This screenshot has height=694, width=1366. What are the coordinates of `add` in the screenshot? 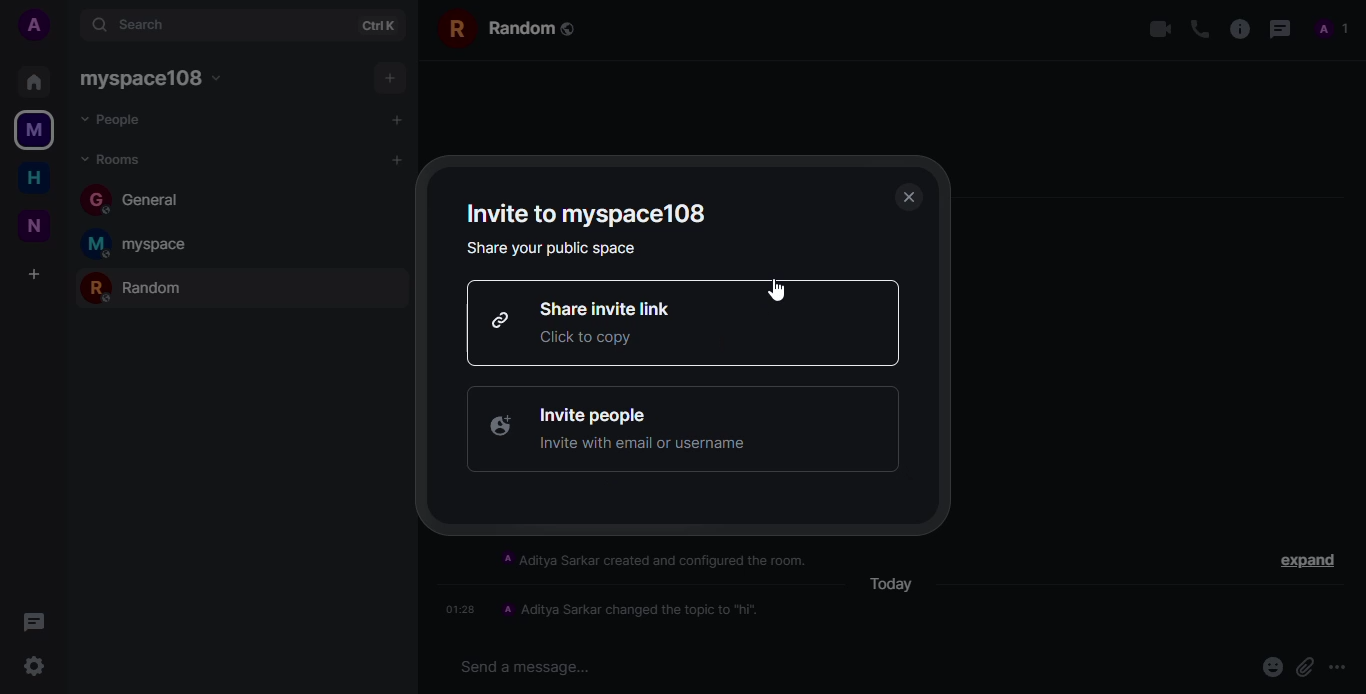 It's located at (35, 274).